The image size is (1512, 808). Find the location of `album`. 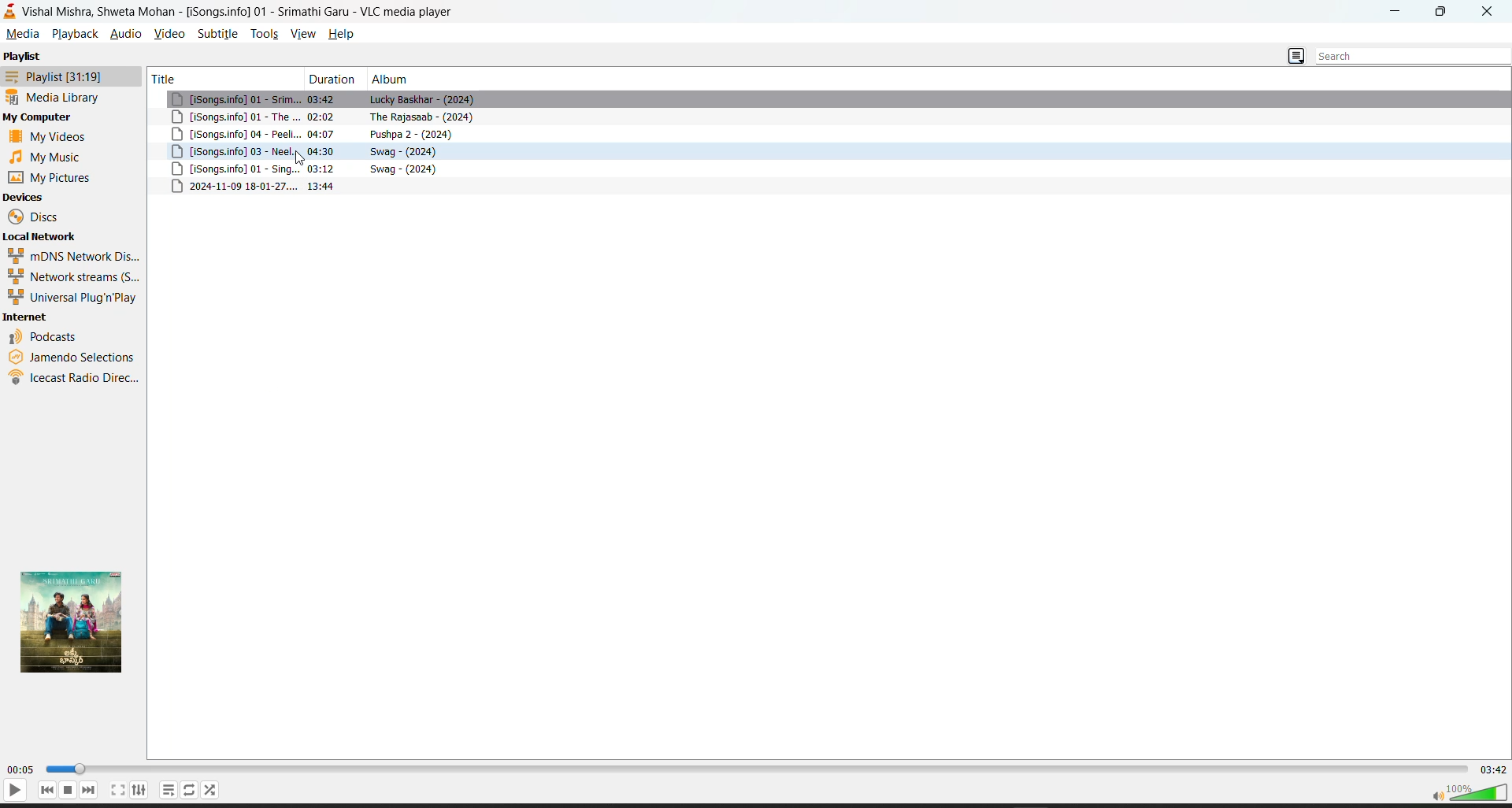

album is located at coordinates (395, 79).